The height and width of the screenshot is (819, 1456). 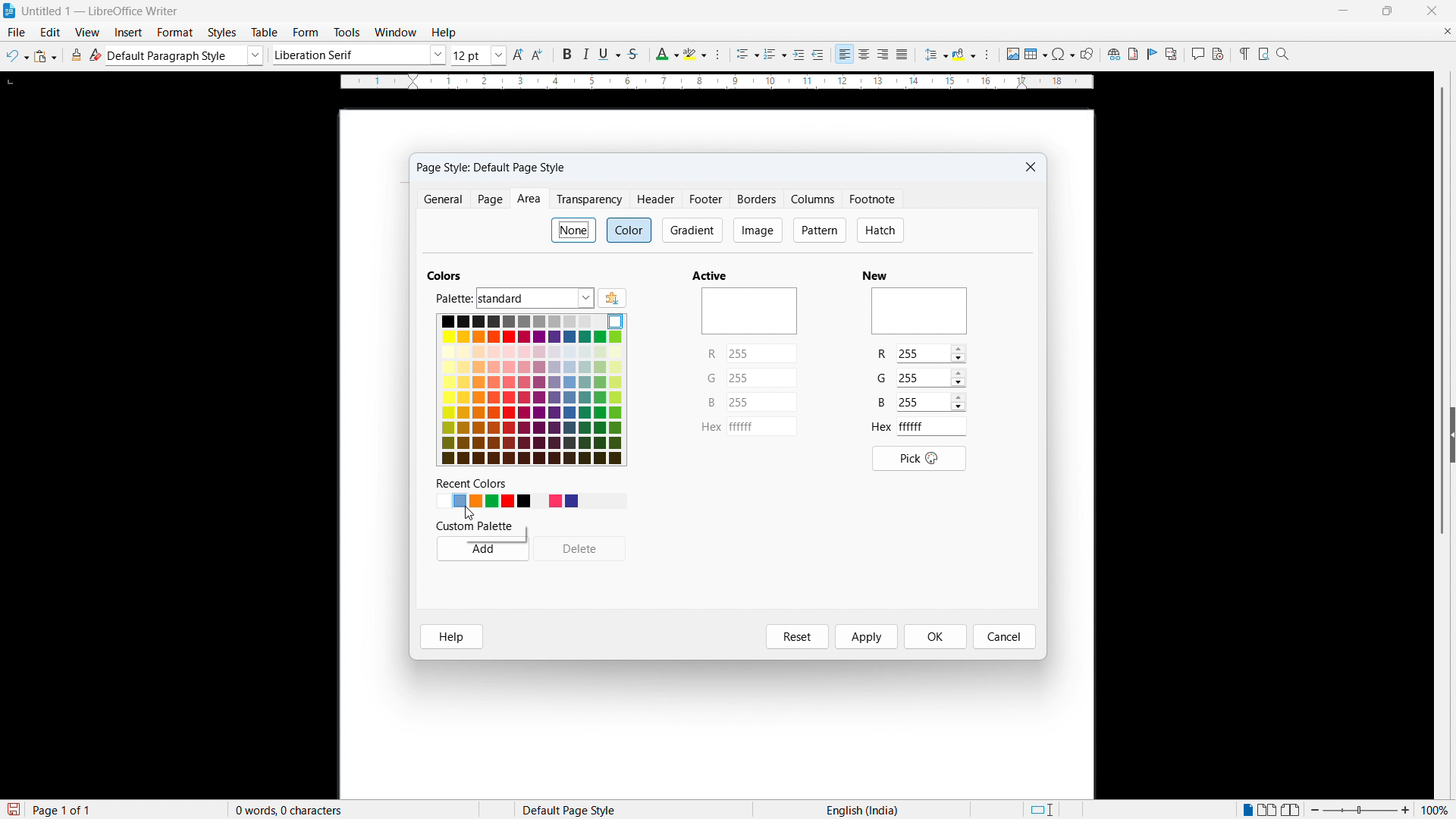 What do you see at coordinates (1112, 53) in the screenshot?
I see `Add link ` at bounding box center [1112, 53].